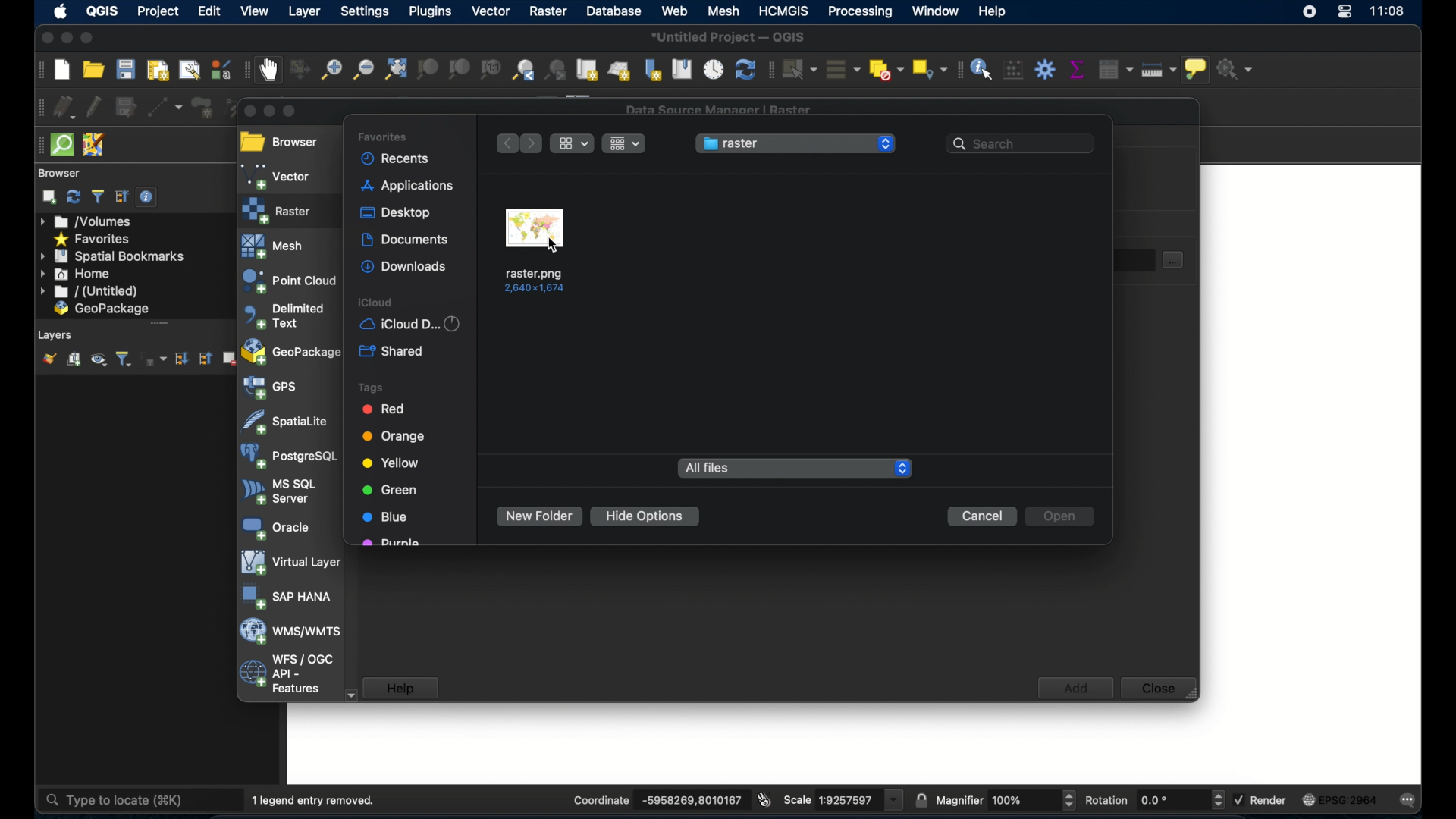 This screenshot has width=1456, height=819. Describe the element at coordinates (535, 273) in the screenshot. I see `name` at that location.